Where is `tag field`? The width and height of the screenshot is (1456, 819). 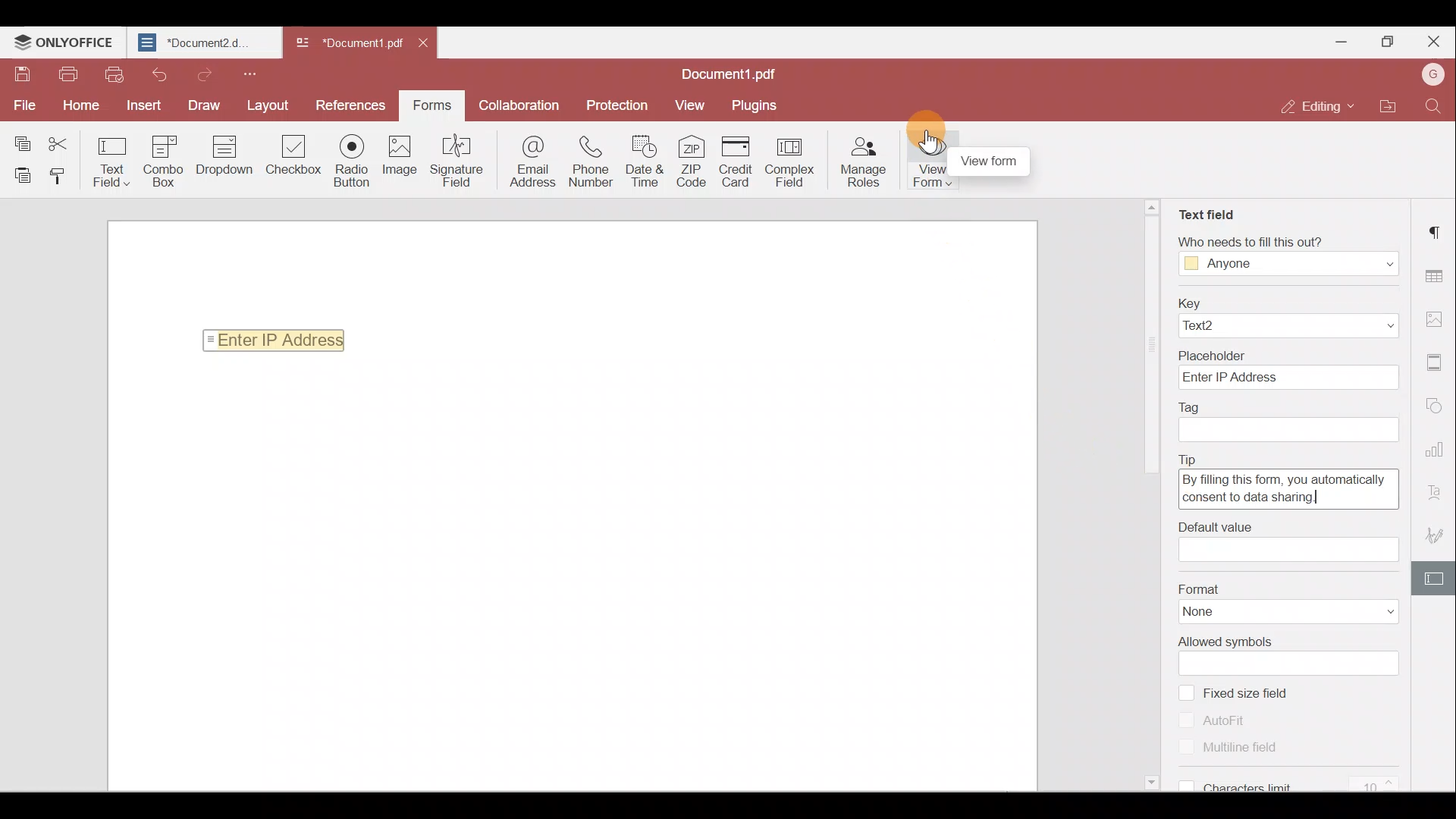
tag field is located at coordinates (1283, 430).